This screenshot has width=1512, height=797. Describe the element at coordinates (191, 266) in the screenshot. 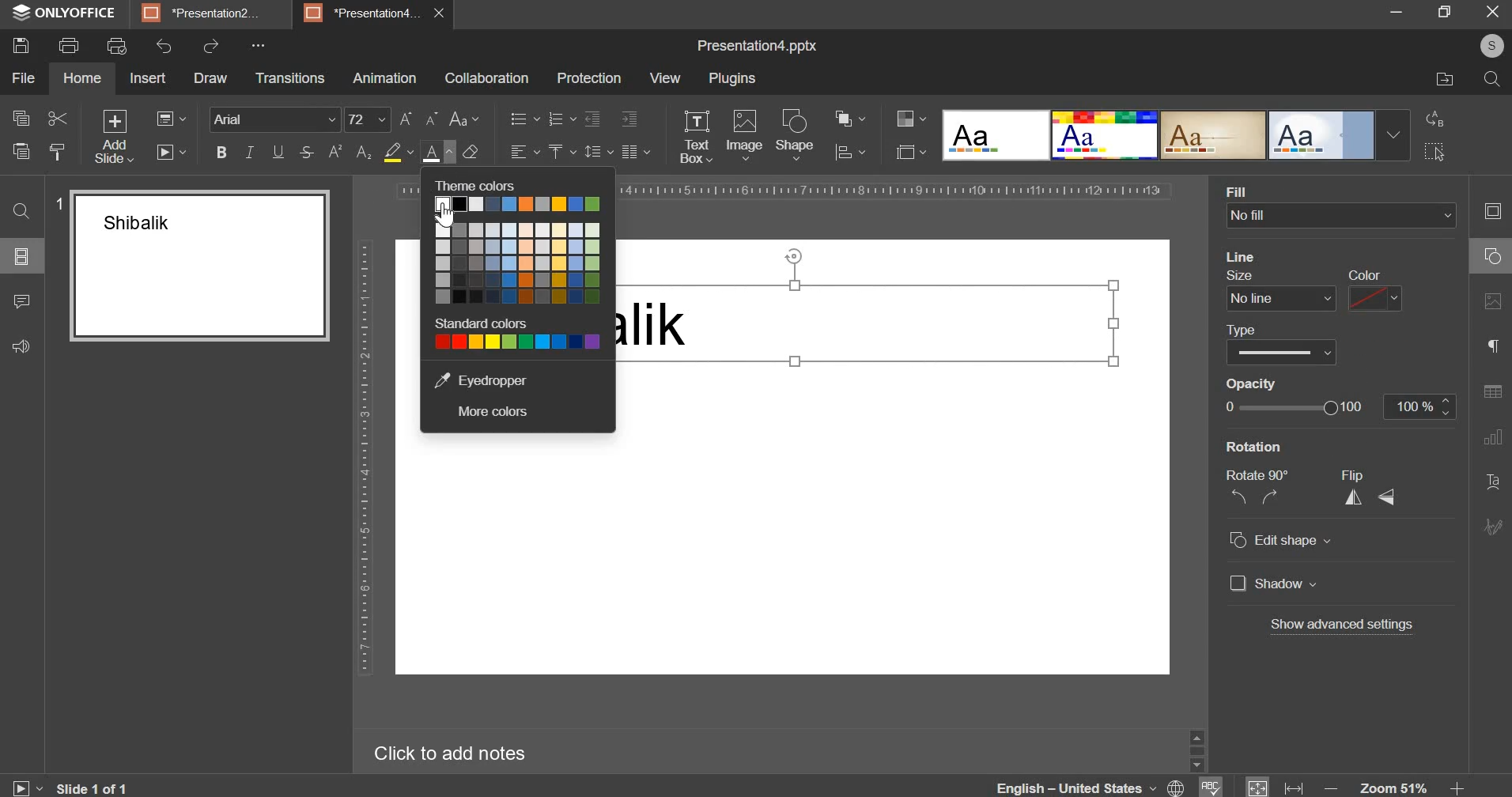

I see `Preview screen` at that location.